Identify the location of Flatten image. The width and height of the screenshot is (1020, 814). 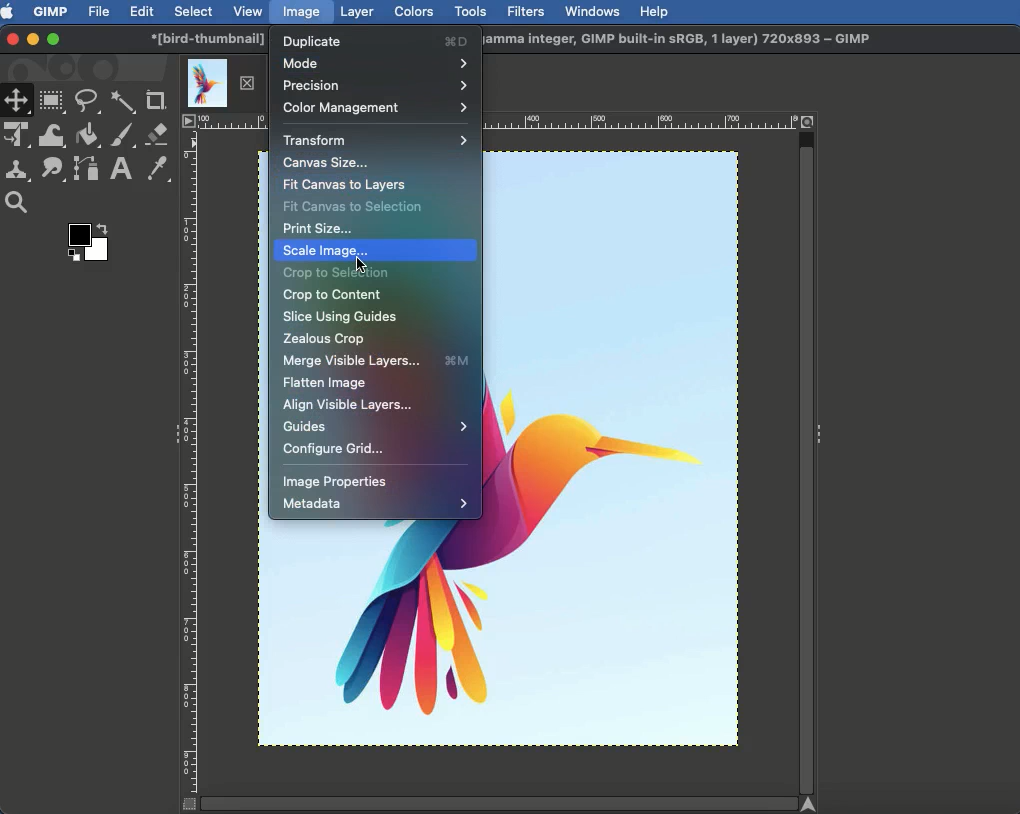
(325, 385).